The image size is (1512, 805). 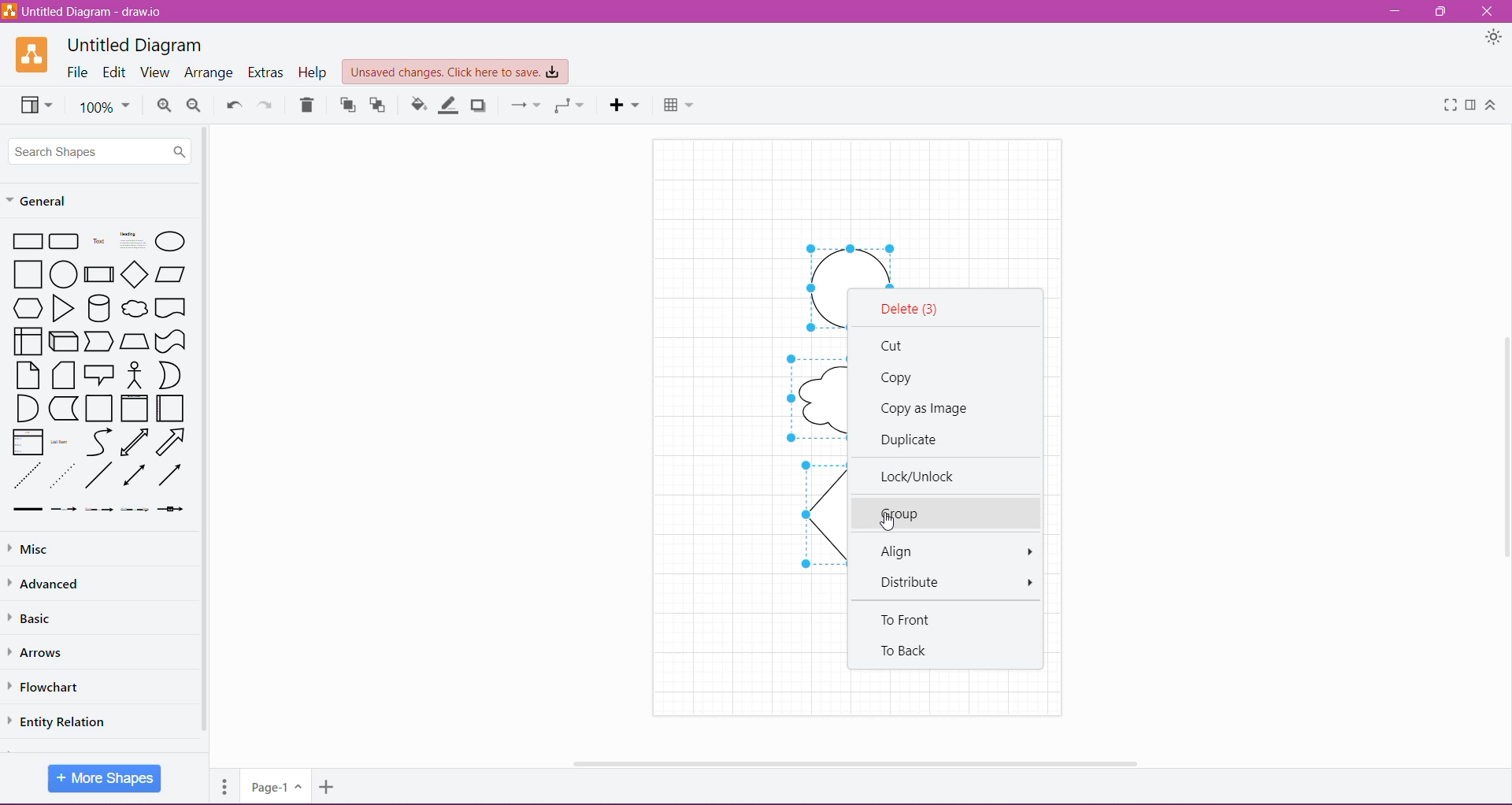 I want to click on Unsaved Changes. Click here to save., so click(x=456, y=72).